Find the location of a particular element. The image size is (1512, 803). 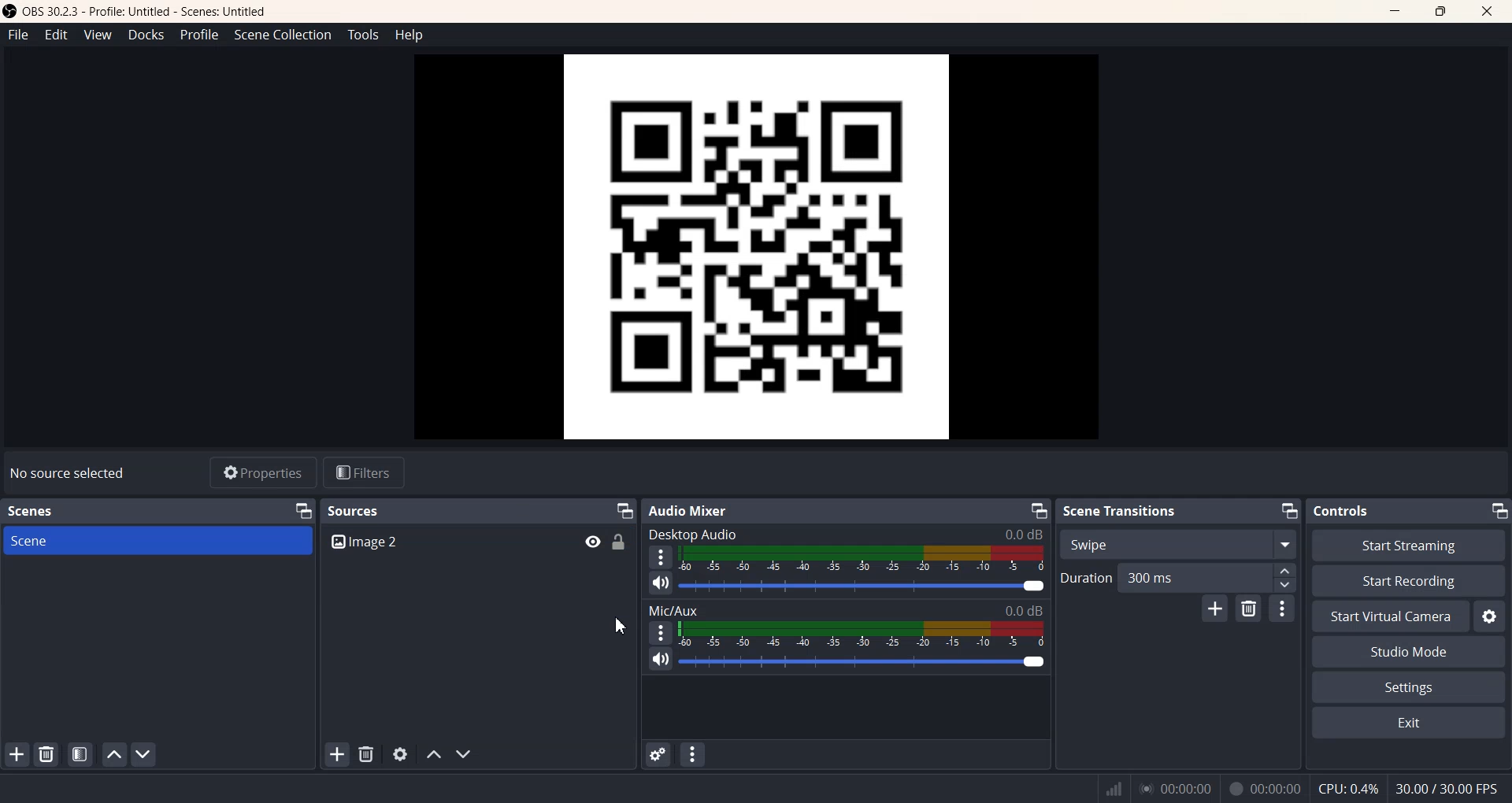

Minimize is located at coordinates (624, 509).